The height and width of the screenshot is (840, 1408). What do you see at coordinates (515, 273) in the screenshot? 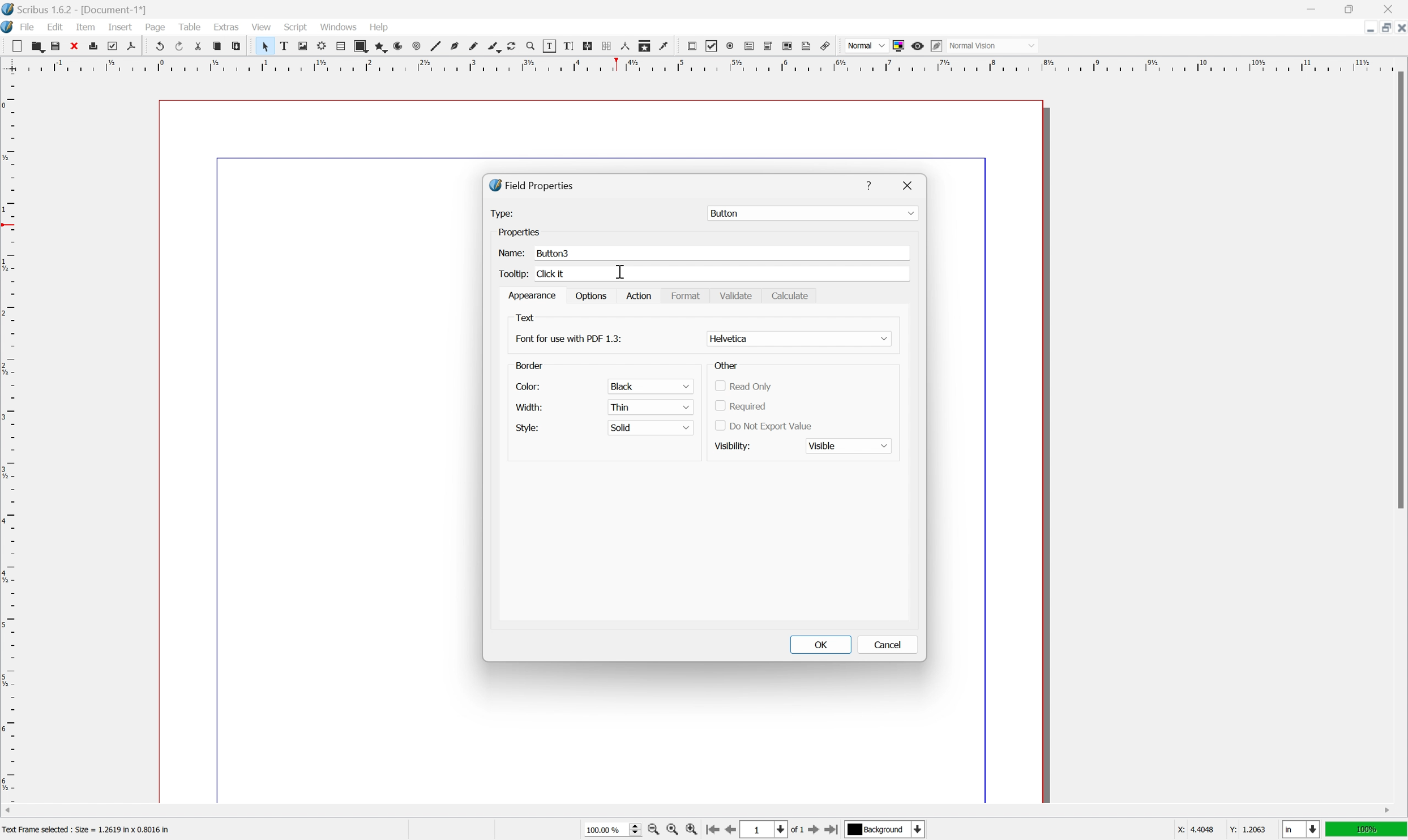
I see `Tooltip` at bounding box center [515, 273].